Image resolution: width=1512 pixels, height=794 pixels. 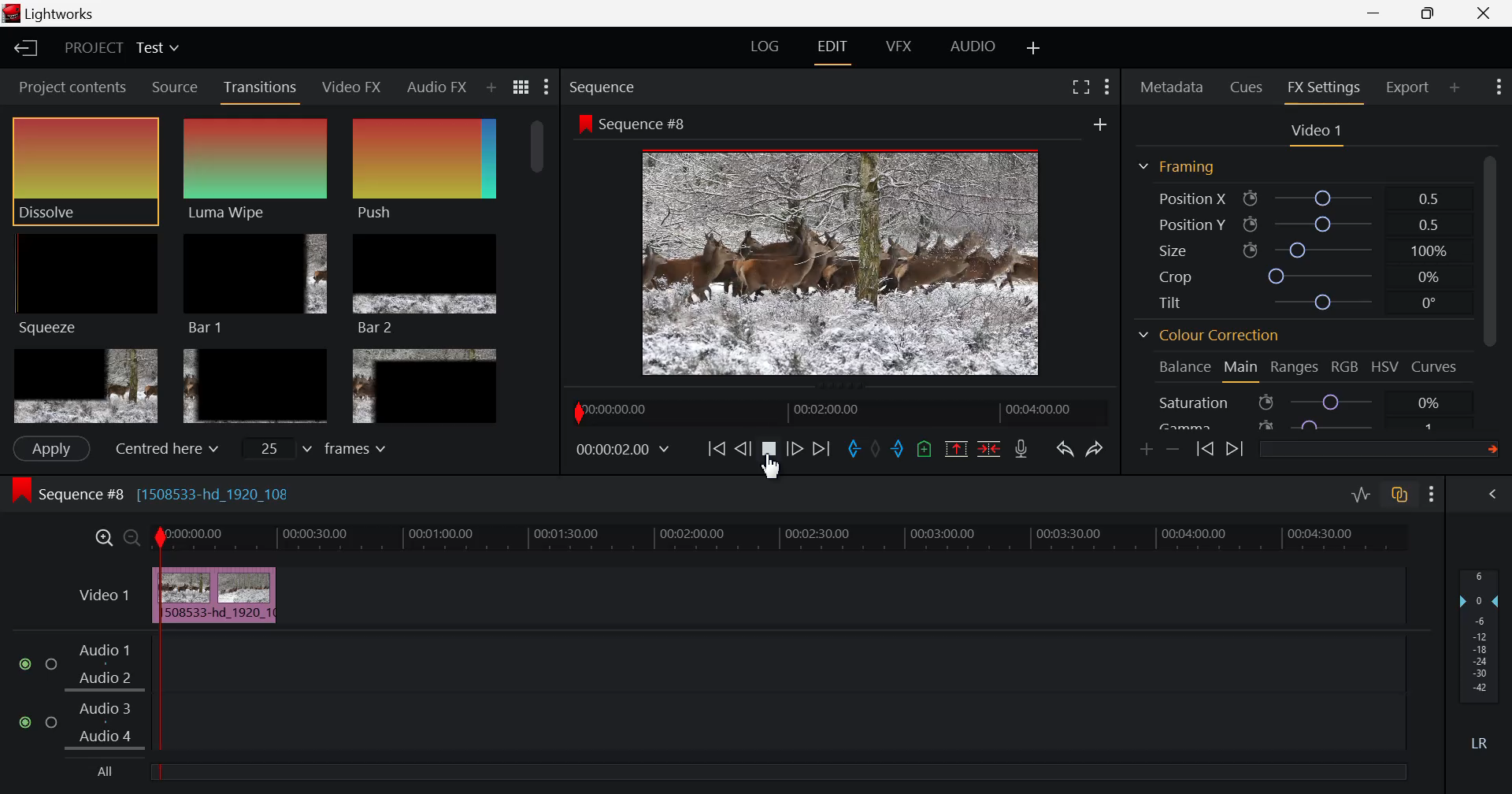 I want to click on Project Timeline Navigator, so click(x=838, y=412).